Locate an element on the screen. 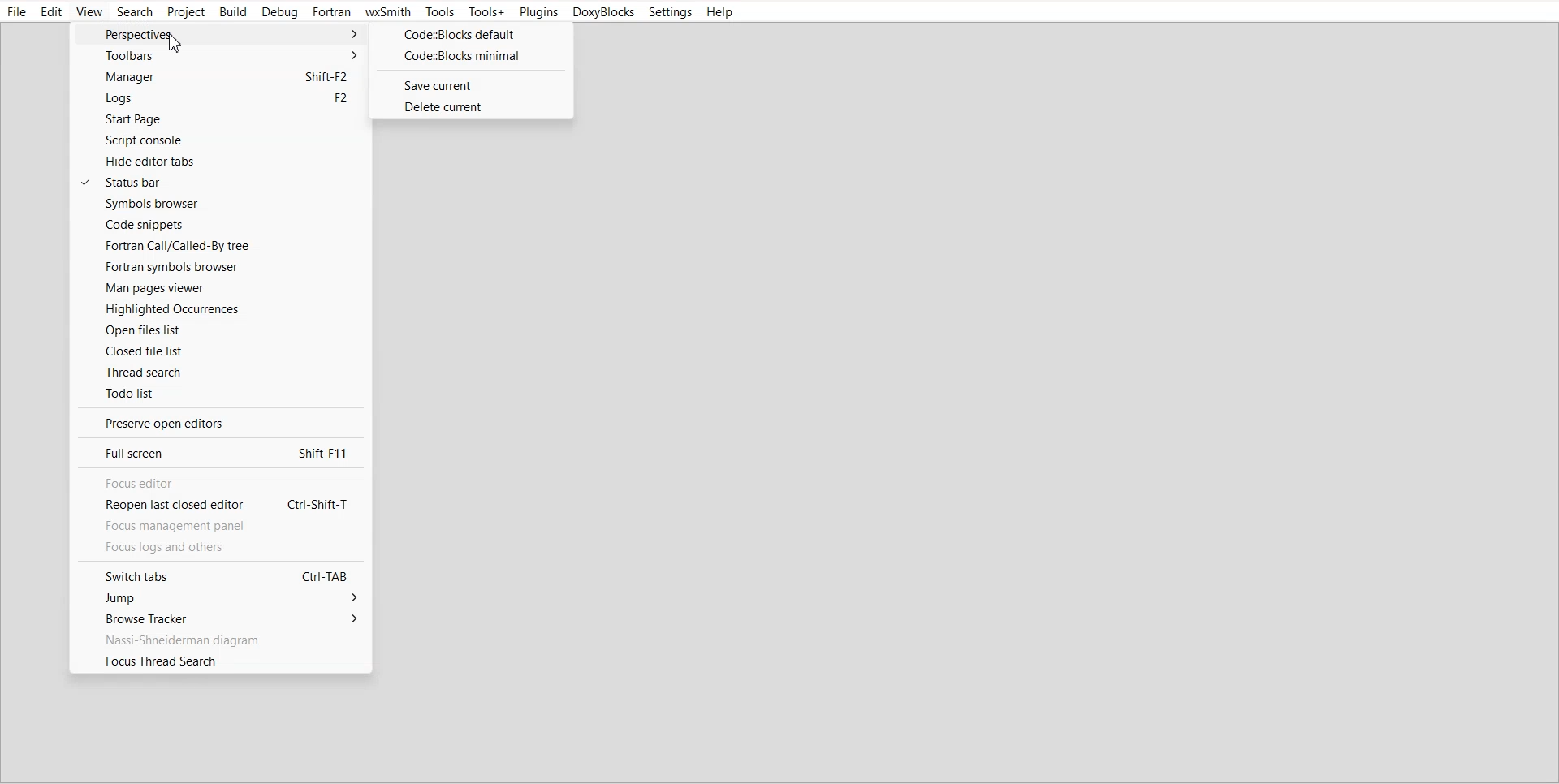  Closed file list is located at coordinates (221, 351).